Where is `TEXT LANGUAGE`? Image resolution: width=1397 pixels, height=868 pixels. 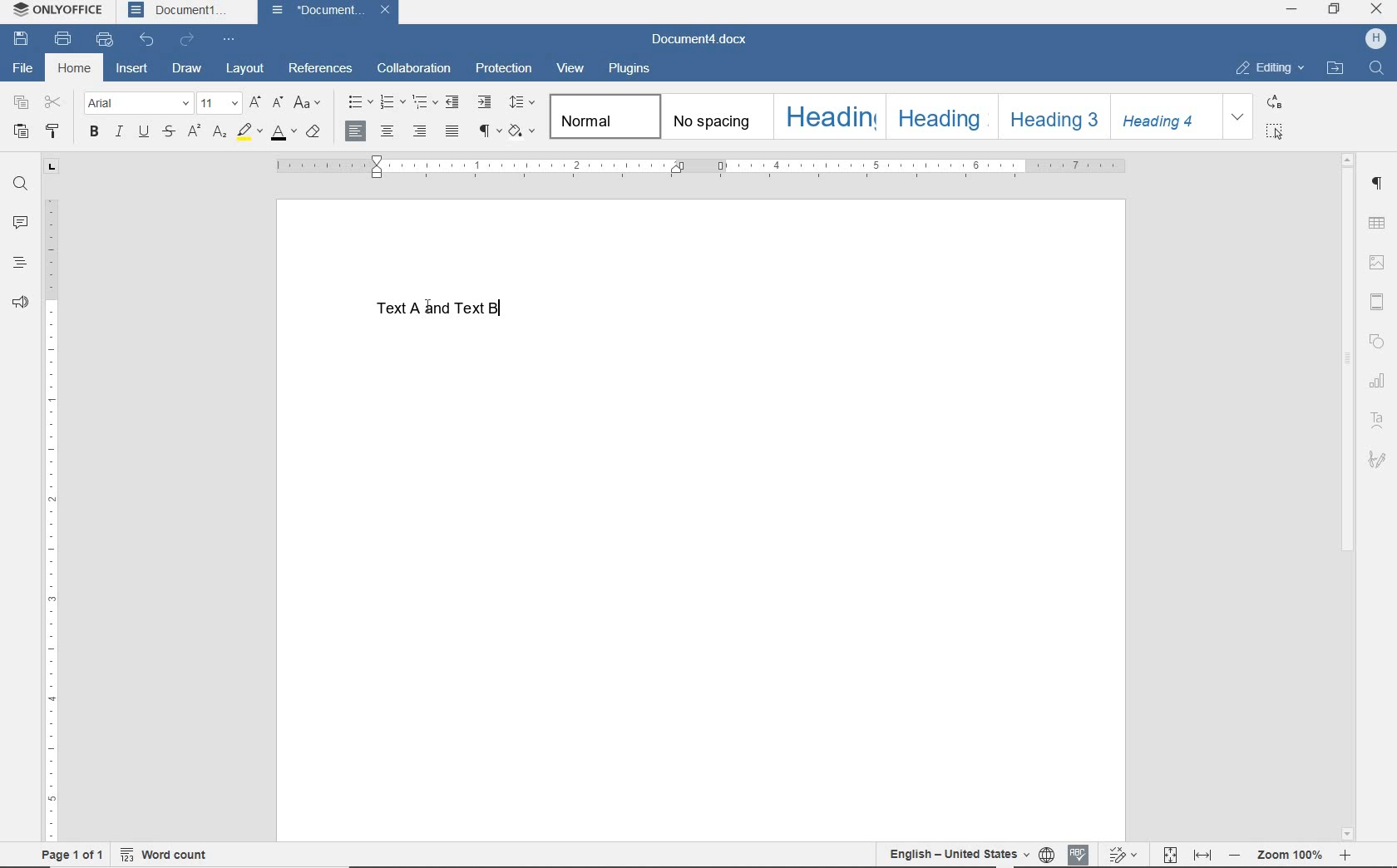
TEXT LANGUAGE is located at coordinates (957, 853).